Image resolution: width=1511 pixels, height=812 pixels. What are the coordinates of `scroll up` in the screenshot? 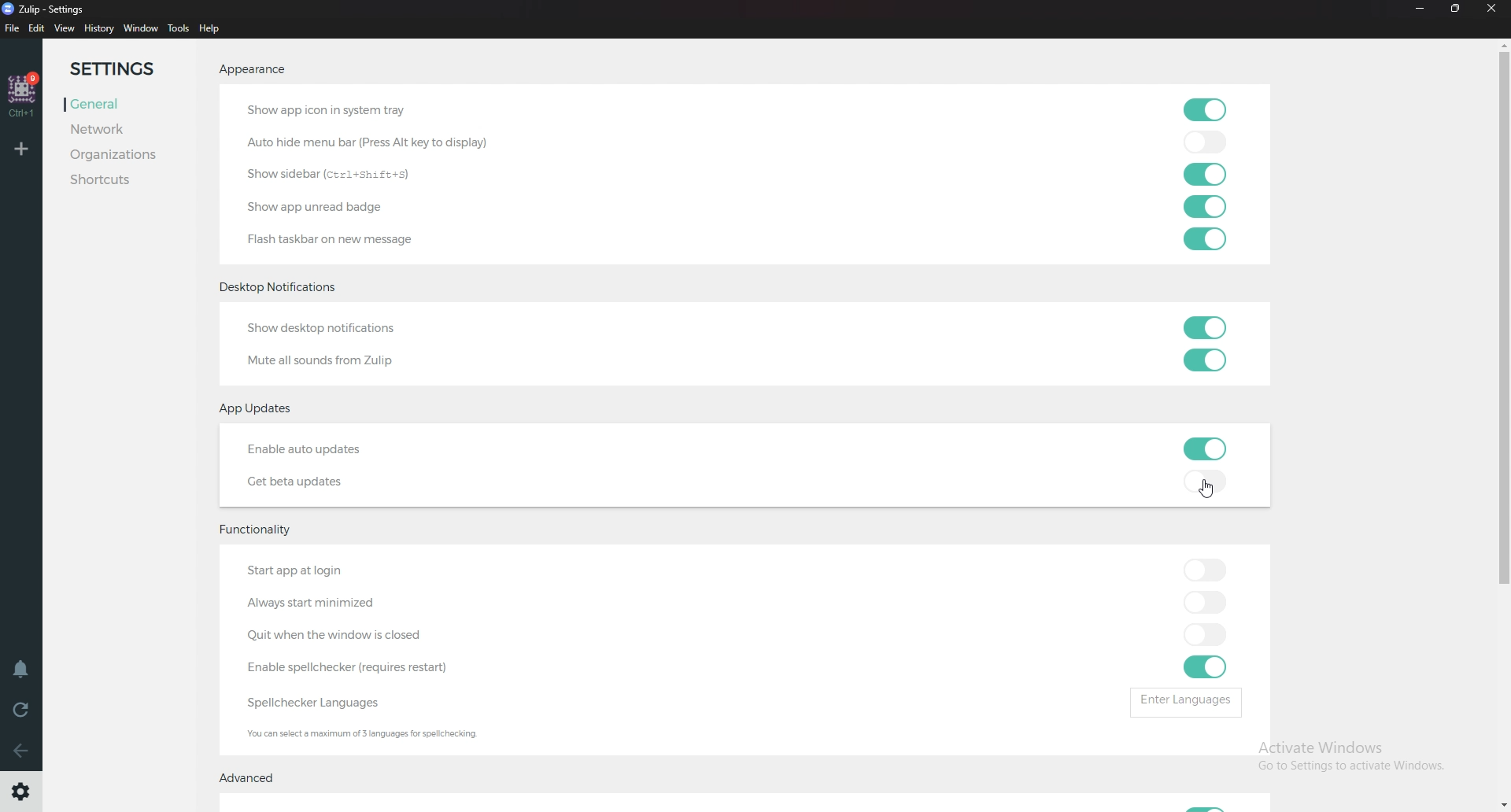 It's located at (1502, 44).